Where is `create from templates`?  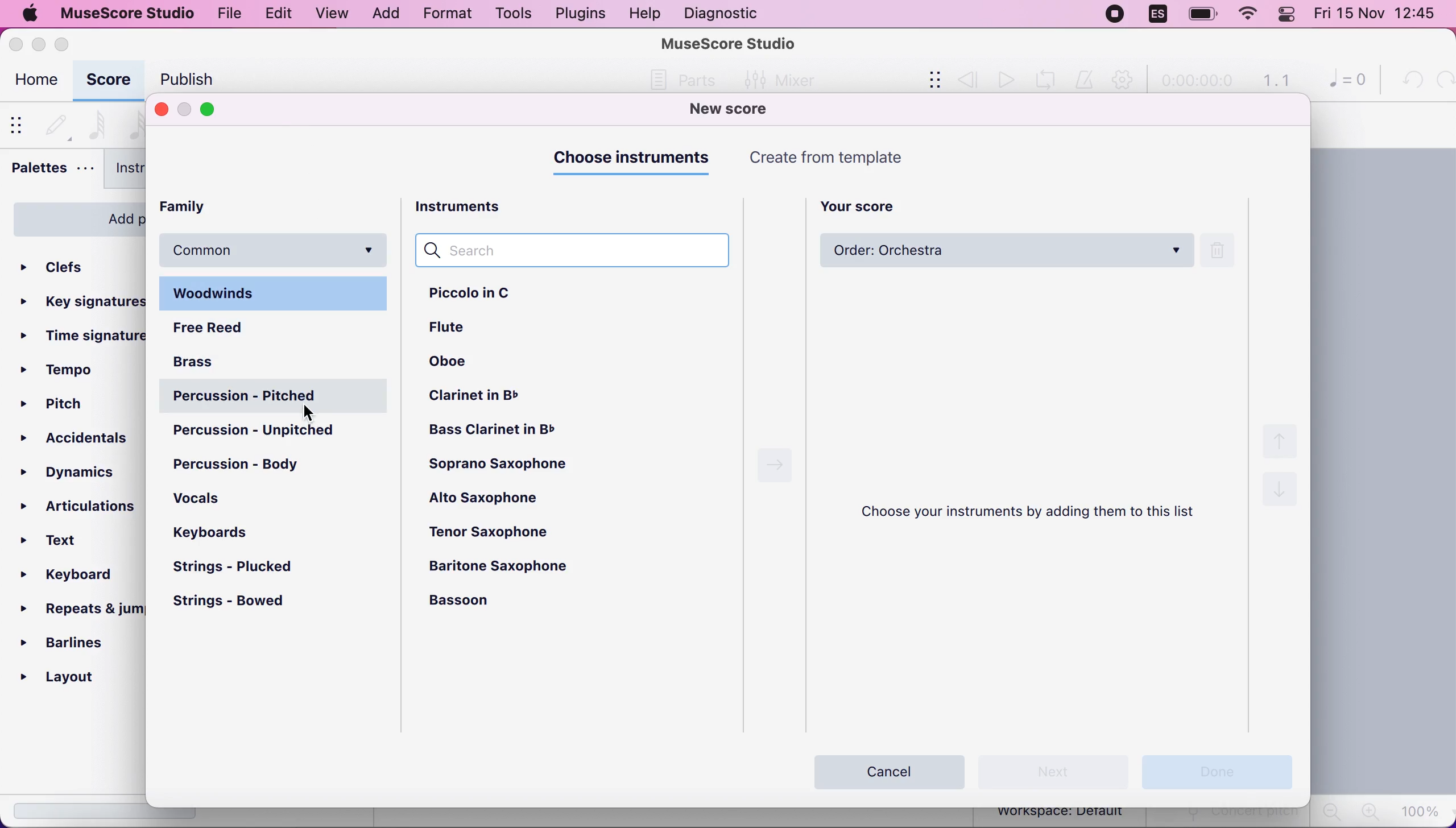 create from templates is located at coordinates (852, 158).